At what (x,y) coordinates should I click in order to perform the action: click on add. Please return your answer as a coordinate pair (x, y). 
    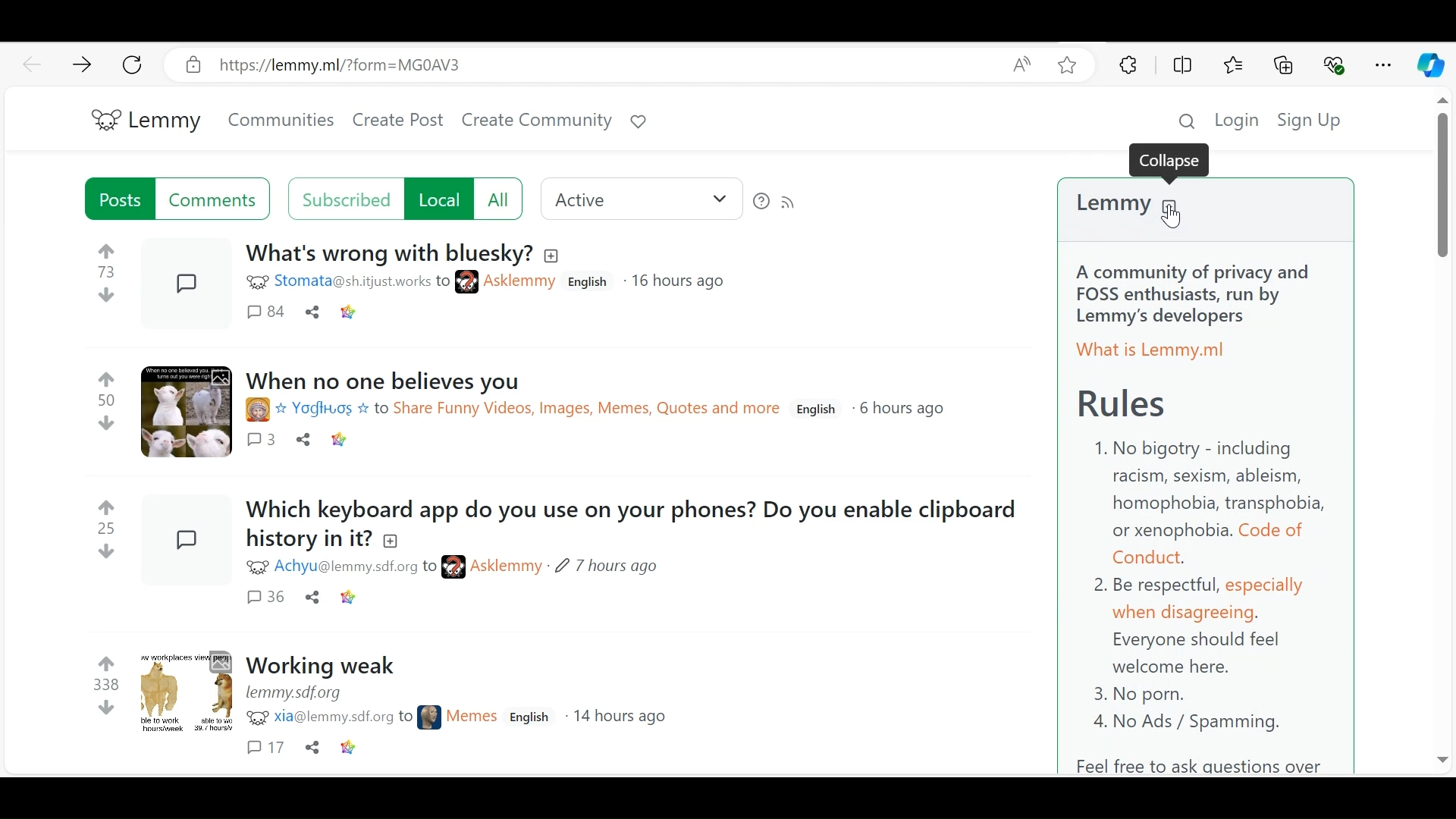
    Looking at the image, I should click on (394, 539).